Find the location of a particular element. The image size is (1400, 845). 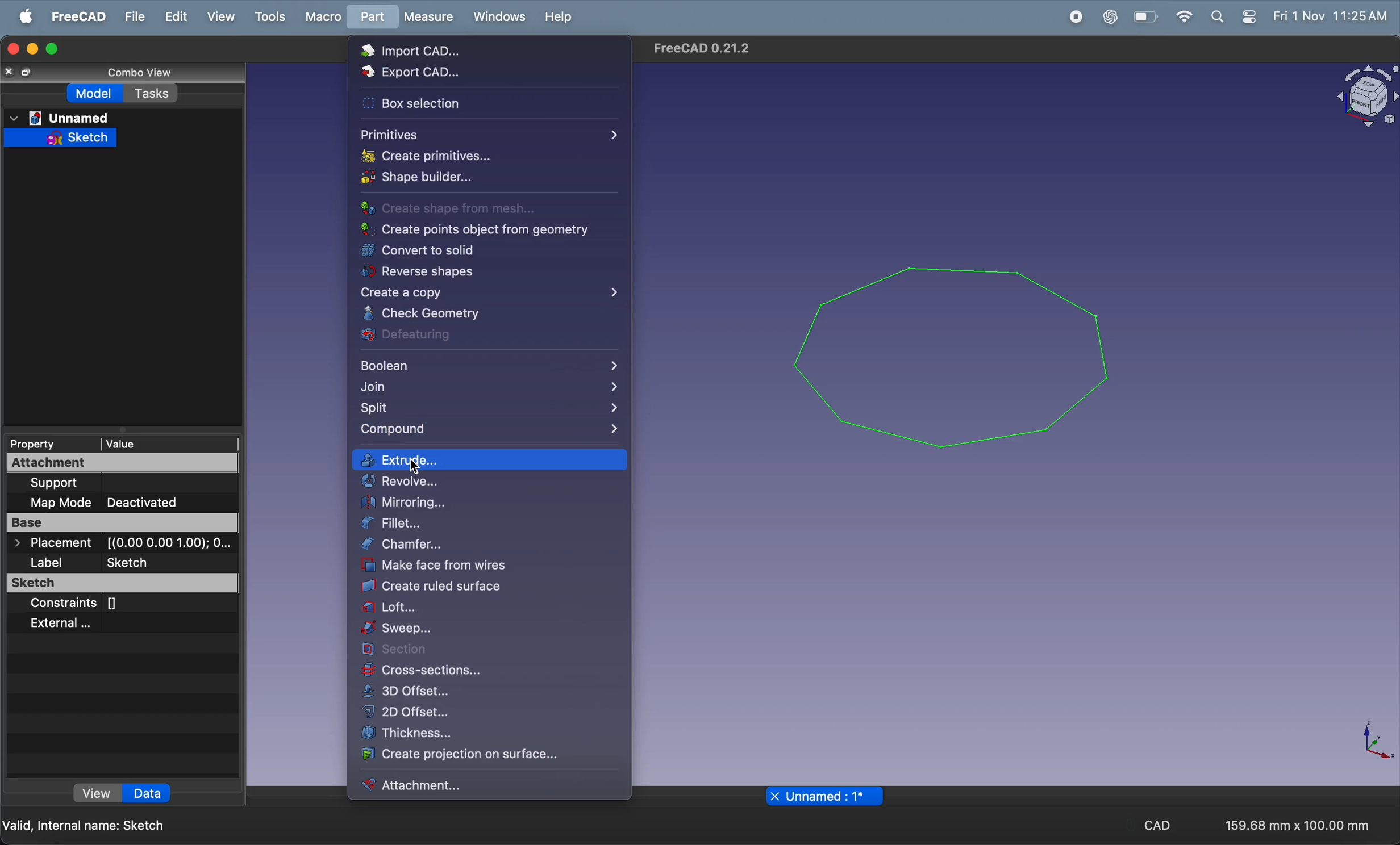

convert to soild is located at coordinates (470, 251).